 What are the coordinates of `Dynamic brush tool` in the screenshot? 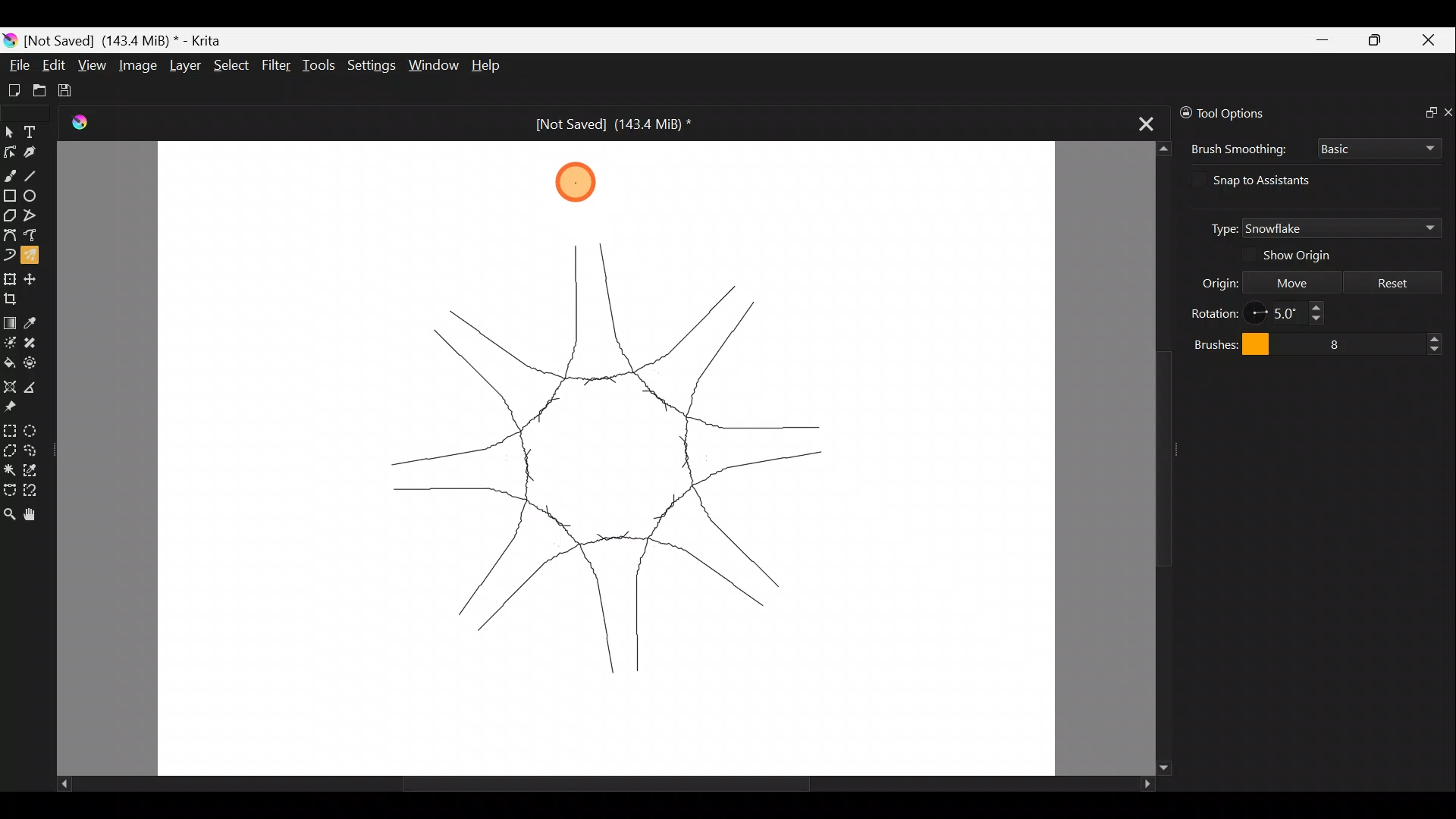 It's located at (9, 255).